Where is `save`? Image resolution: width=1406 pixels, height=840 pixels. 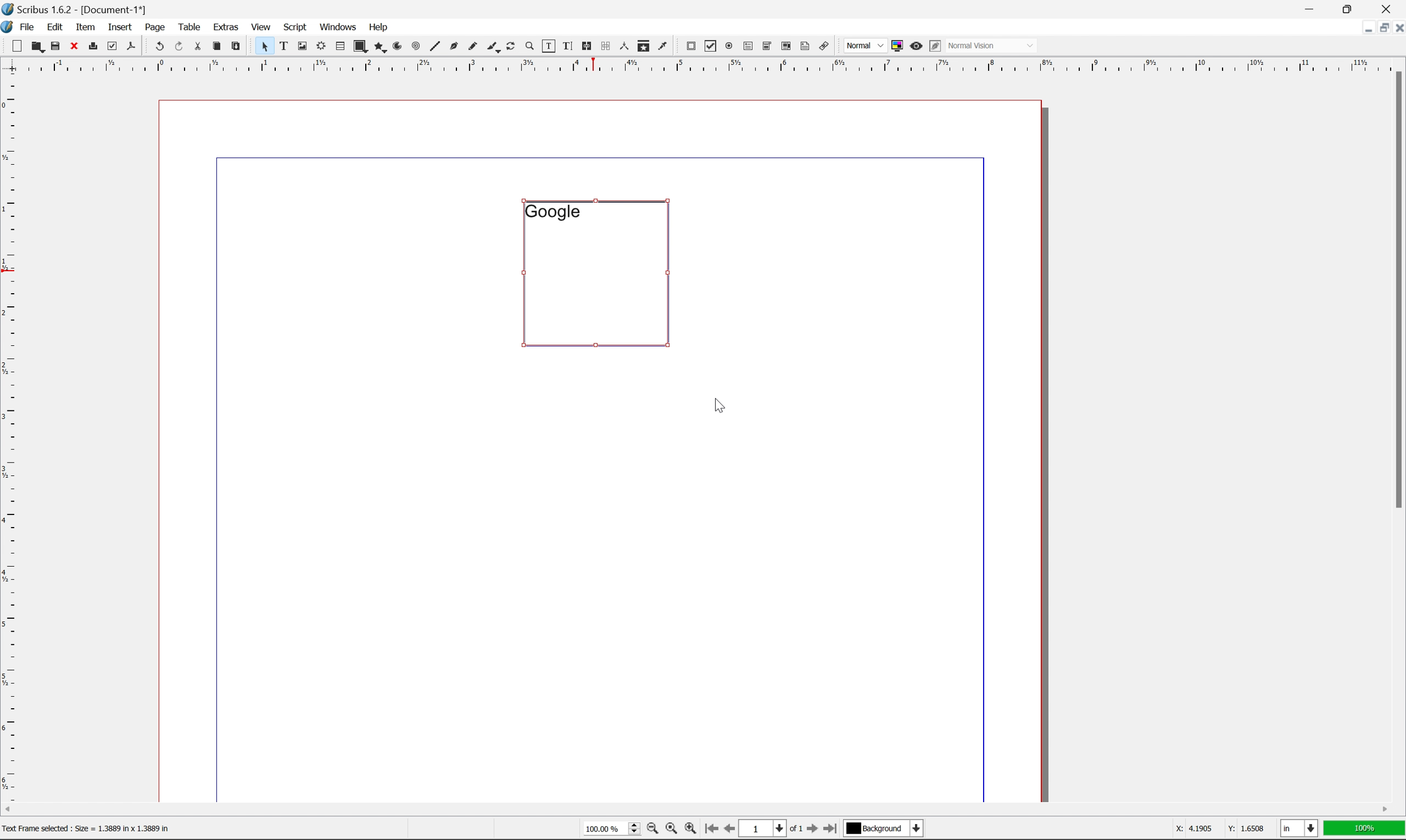 save is located at coordinates (55, 46).